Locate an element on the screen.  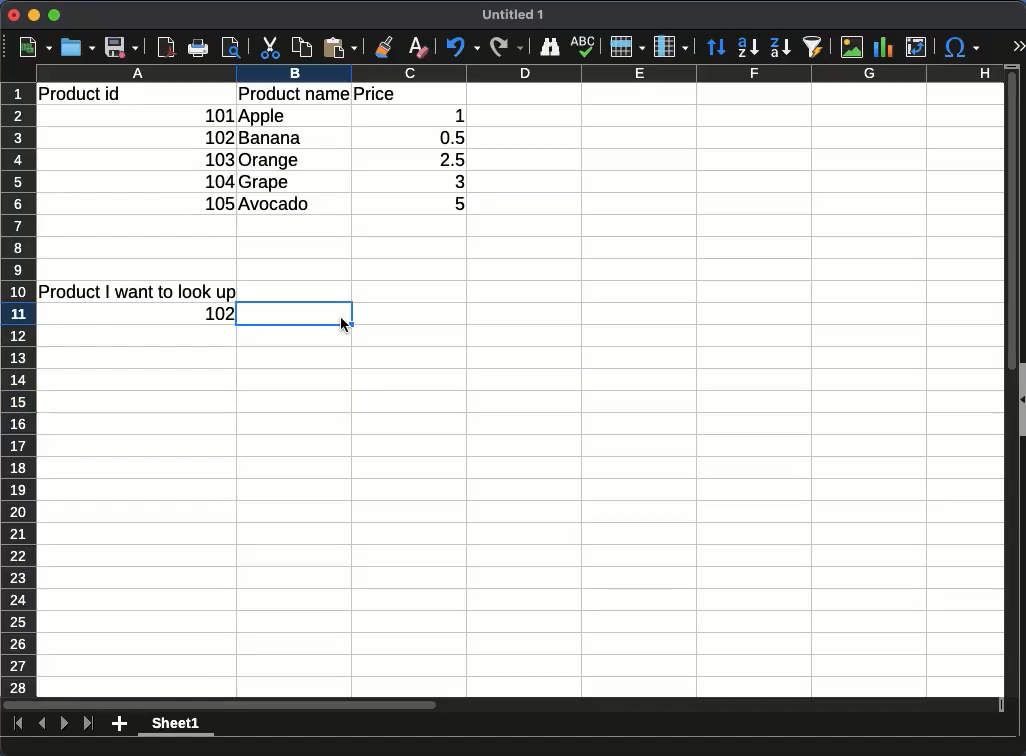
expand is located at coordinates (1018, 45).